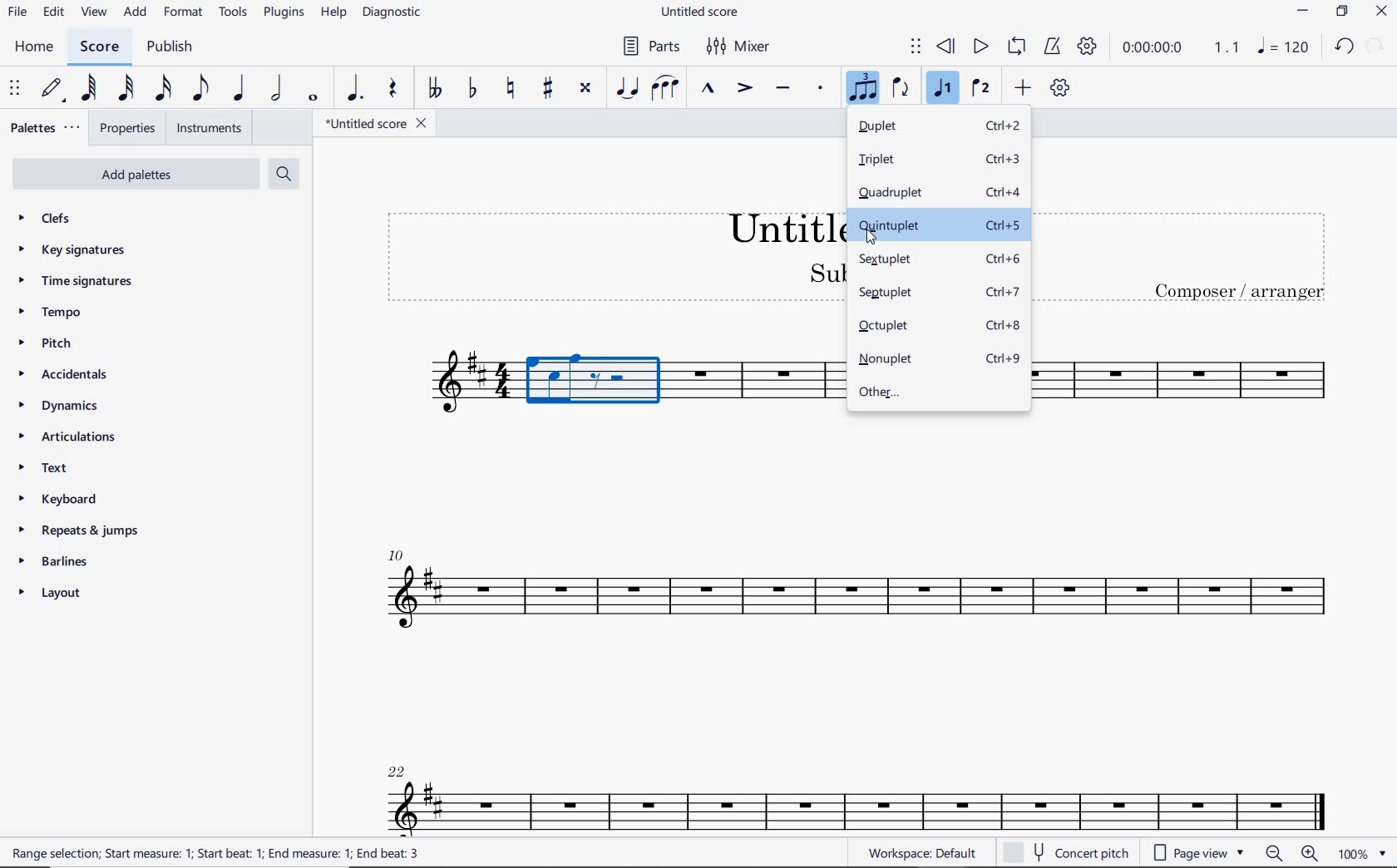 This screenshot has height=868, width=1397. What do you see at coordinates (1200, 853) in the screenshot?
I see `PAGE VIEW` at bounding box center [1200, 853].